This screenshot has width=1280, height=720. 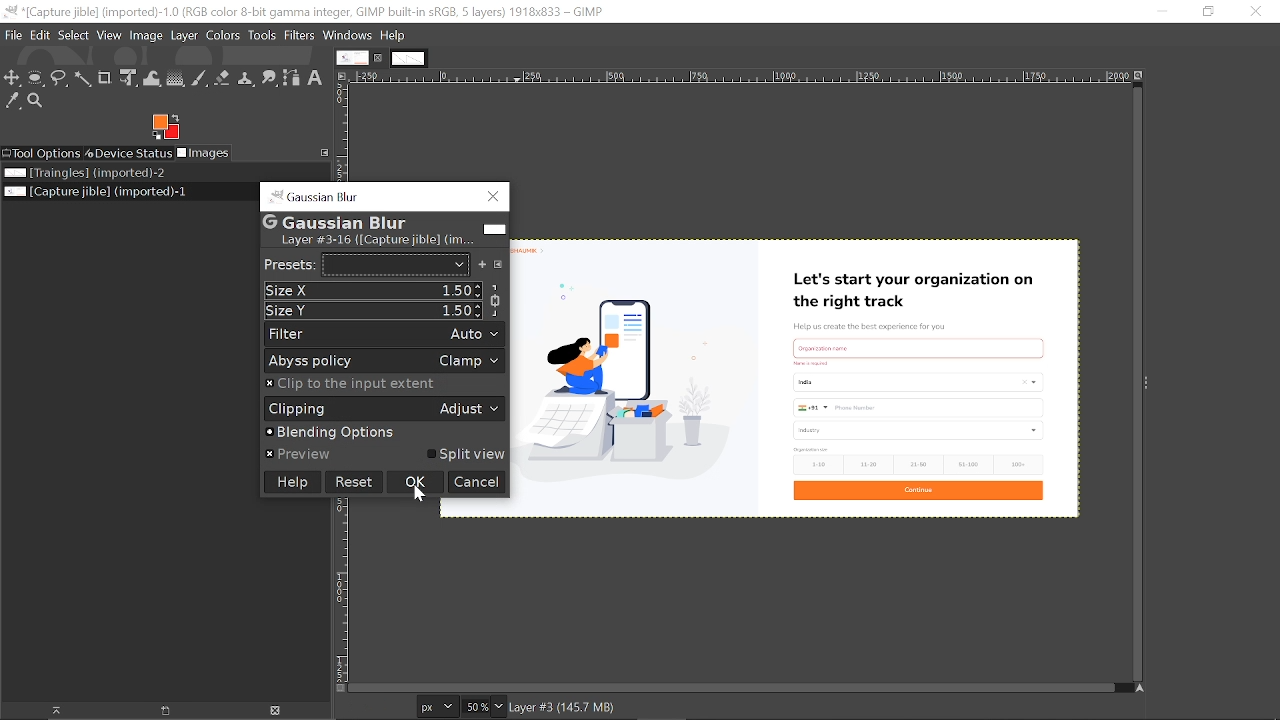 What do you see at coordinates (270, 222) in the screenshot?
I see `Initials of current function` at bounding box center [270, 222].